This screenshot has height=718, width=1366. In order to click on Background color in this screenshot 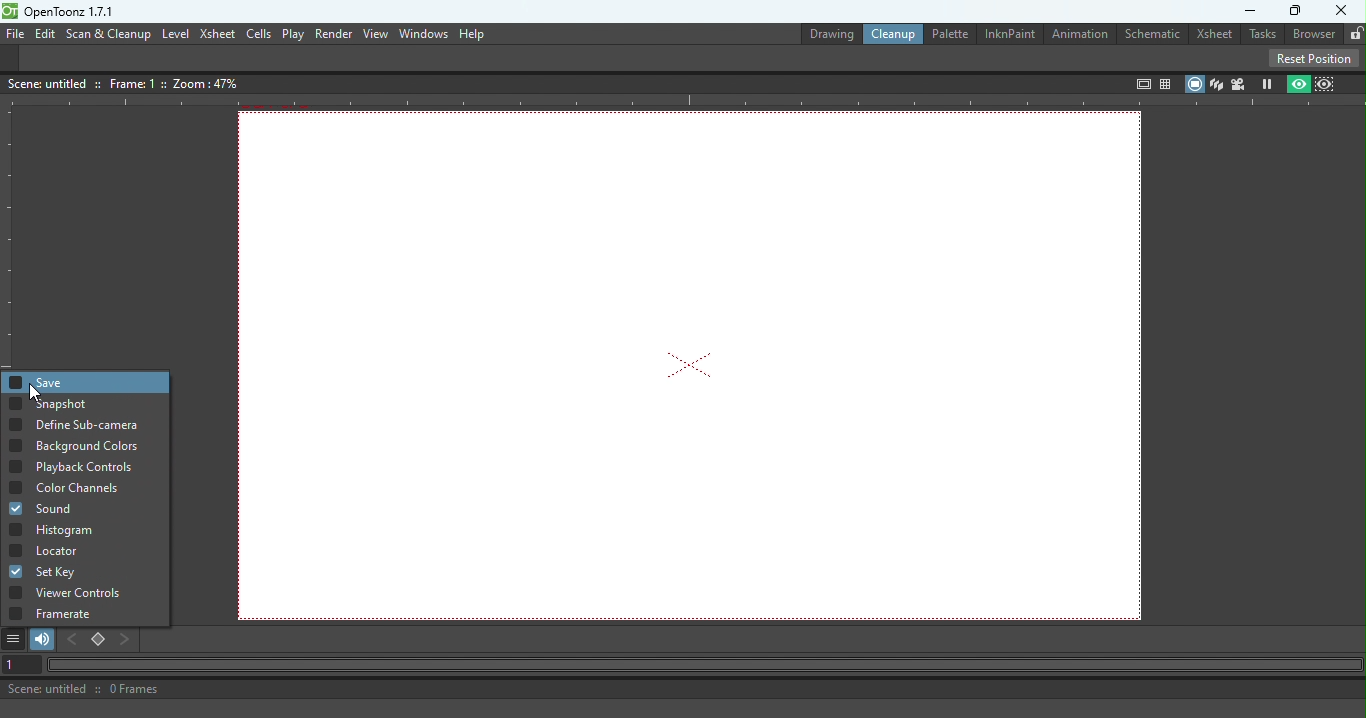, I will do `click(102, 445)`.